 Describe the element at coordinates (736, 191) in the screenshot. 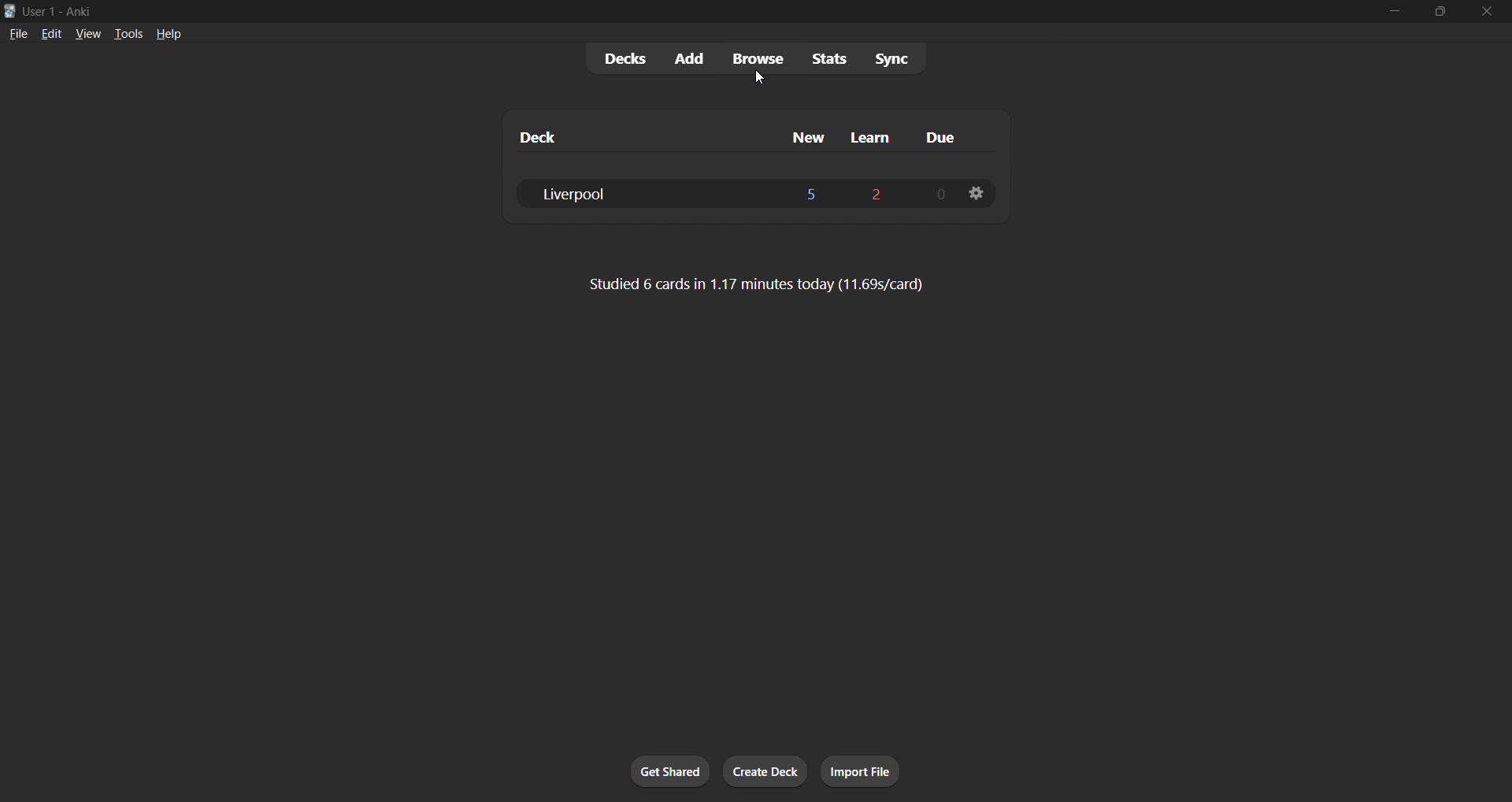

I see `liverpool deck data` at that location.